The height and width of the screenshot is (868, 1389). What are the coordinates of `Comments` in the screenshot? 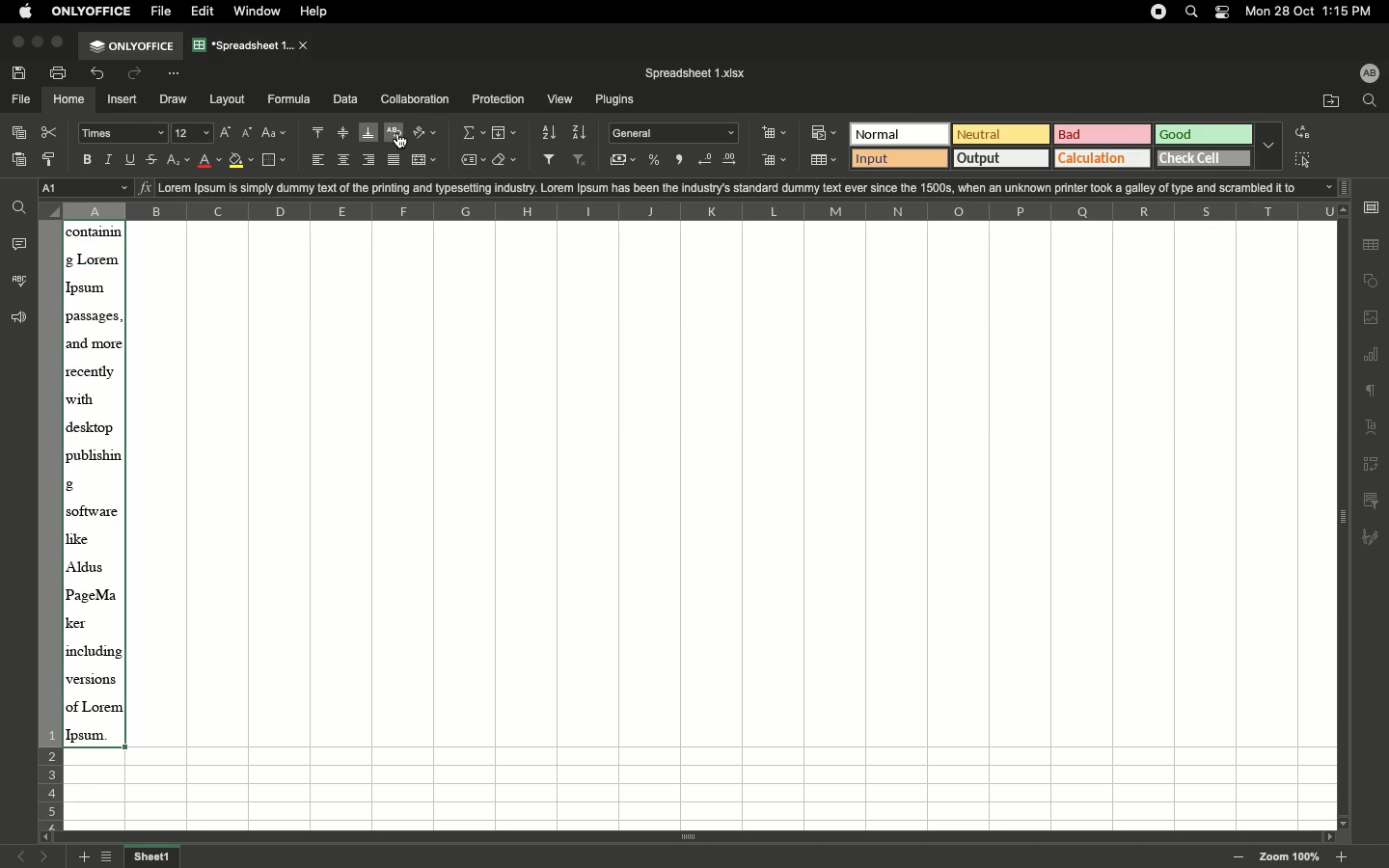 It's located at (20, 243).